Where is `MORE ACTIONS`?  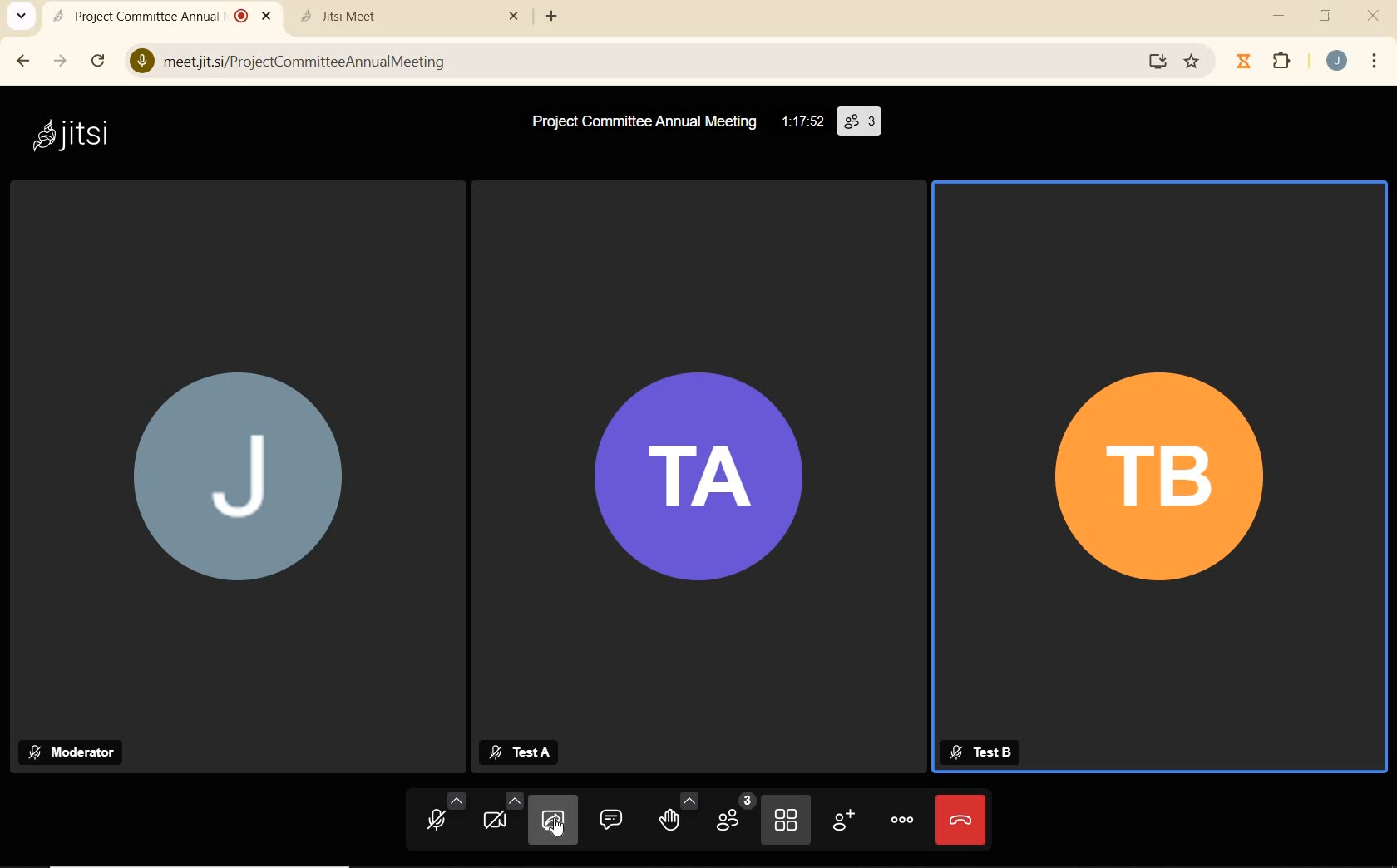 MORE ACTIONS is located at coordinates (903, 818).